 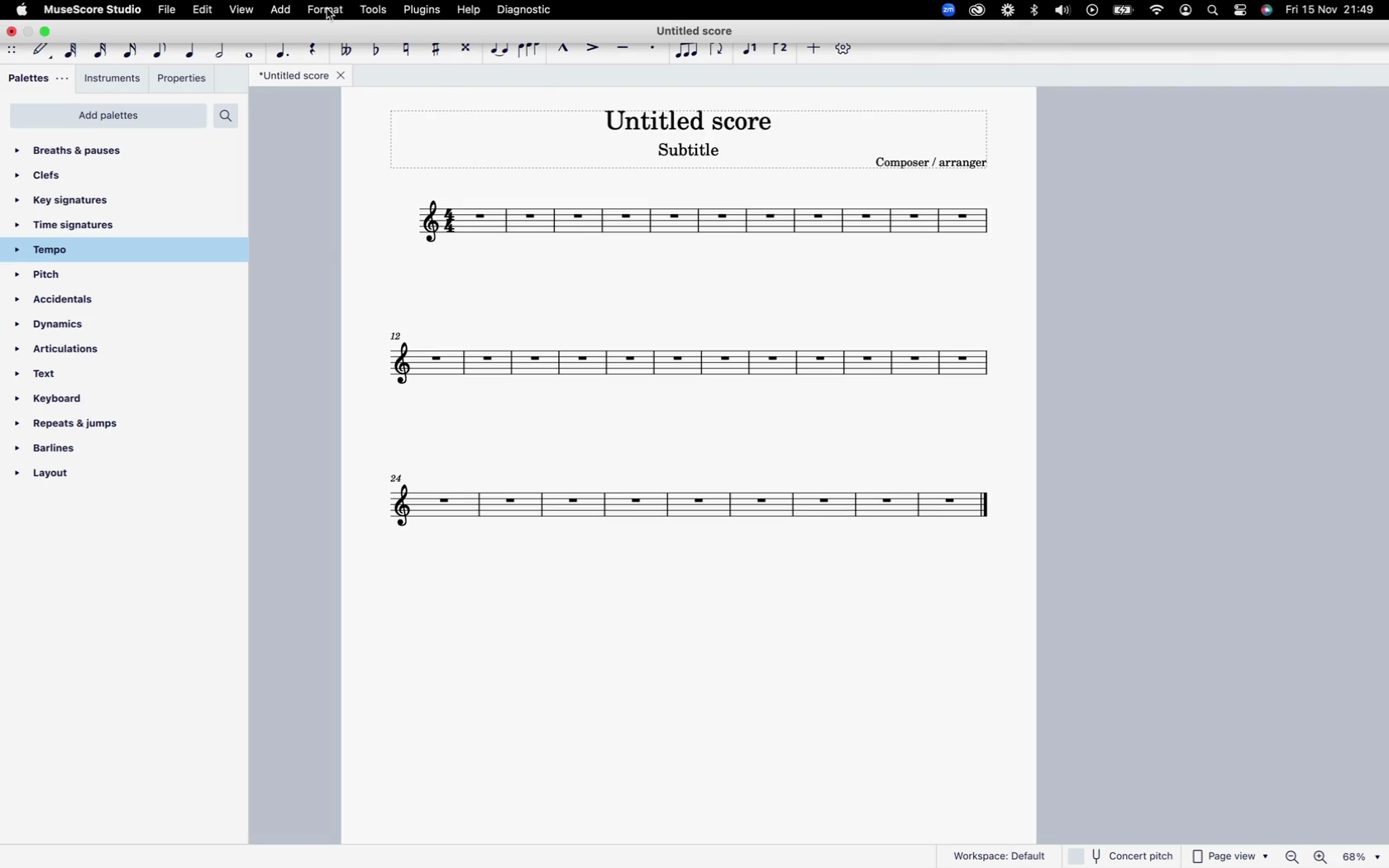 What do you see at coordinates (68, 353) in the screenshot?
I see `articulations` at bounding box center [68, 353].